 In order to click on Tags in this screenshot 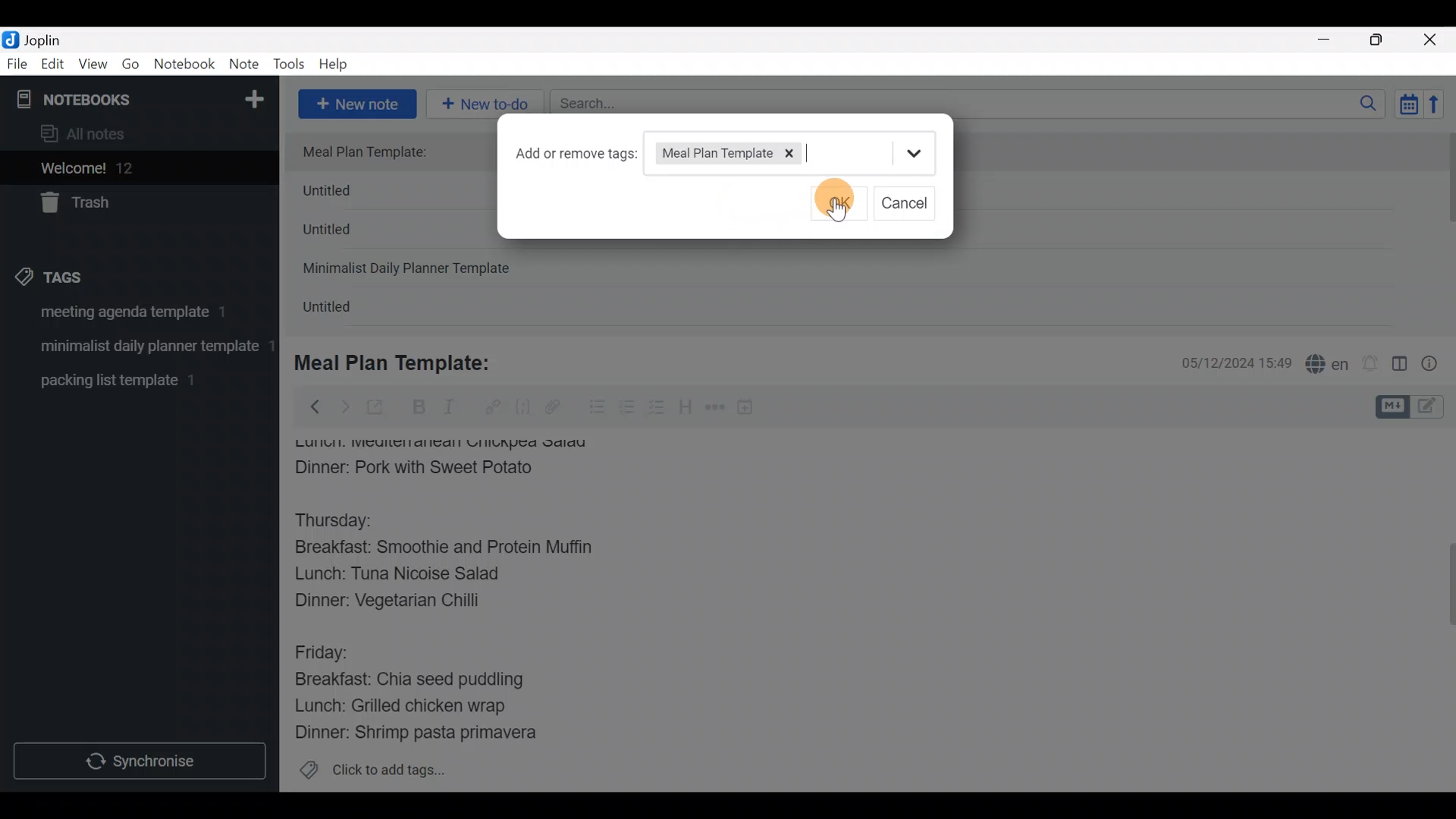, I will do `click(85, 275)`.